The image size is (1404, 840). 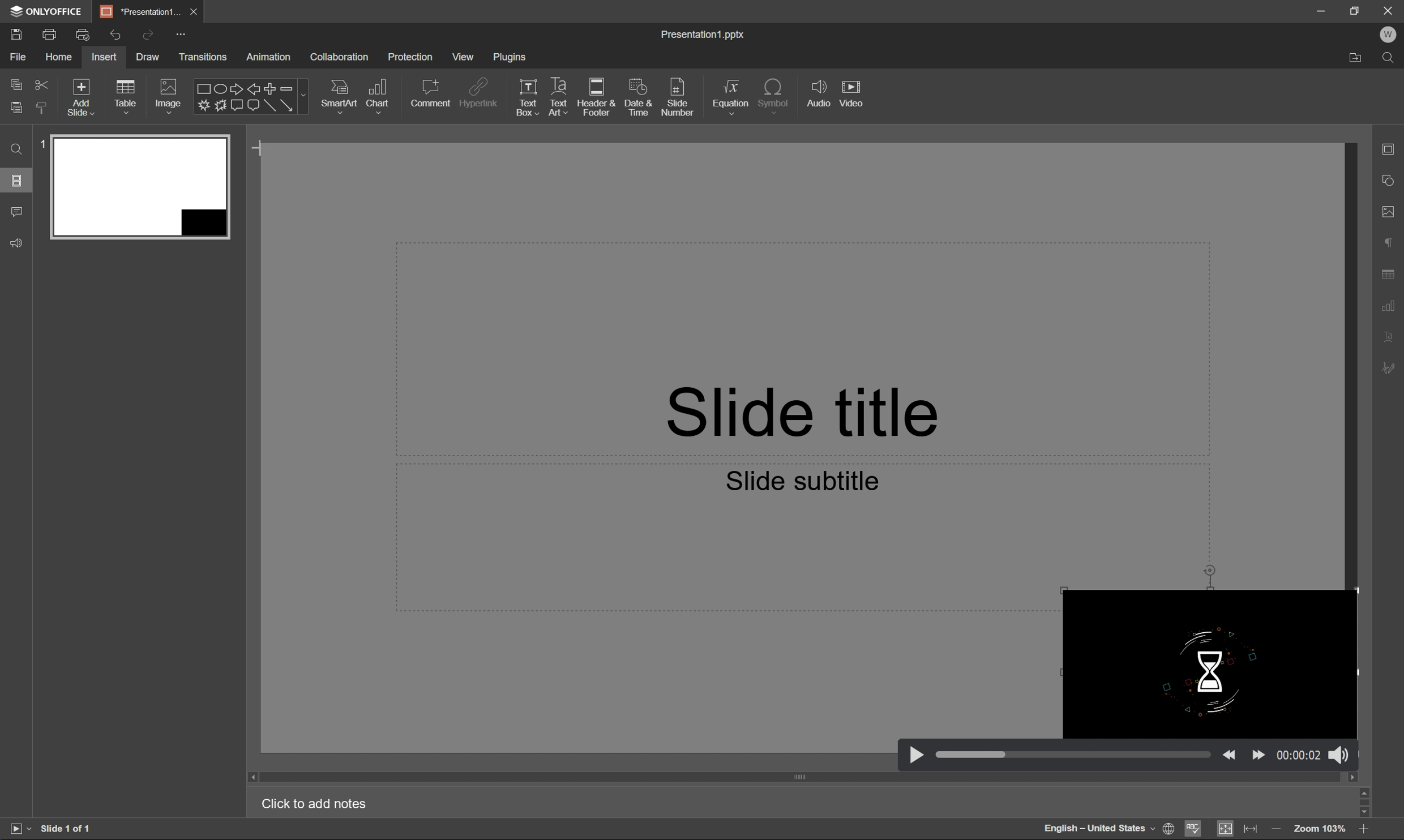 I want to click on English - United States, so click(x=1096, y=829).